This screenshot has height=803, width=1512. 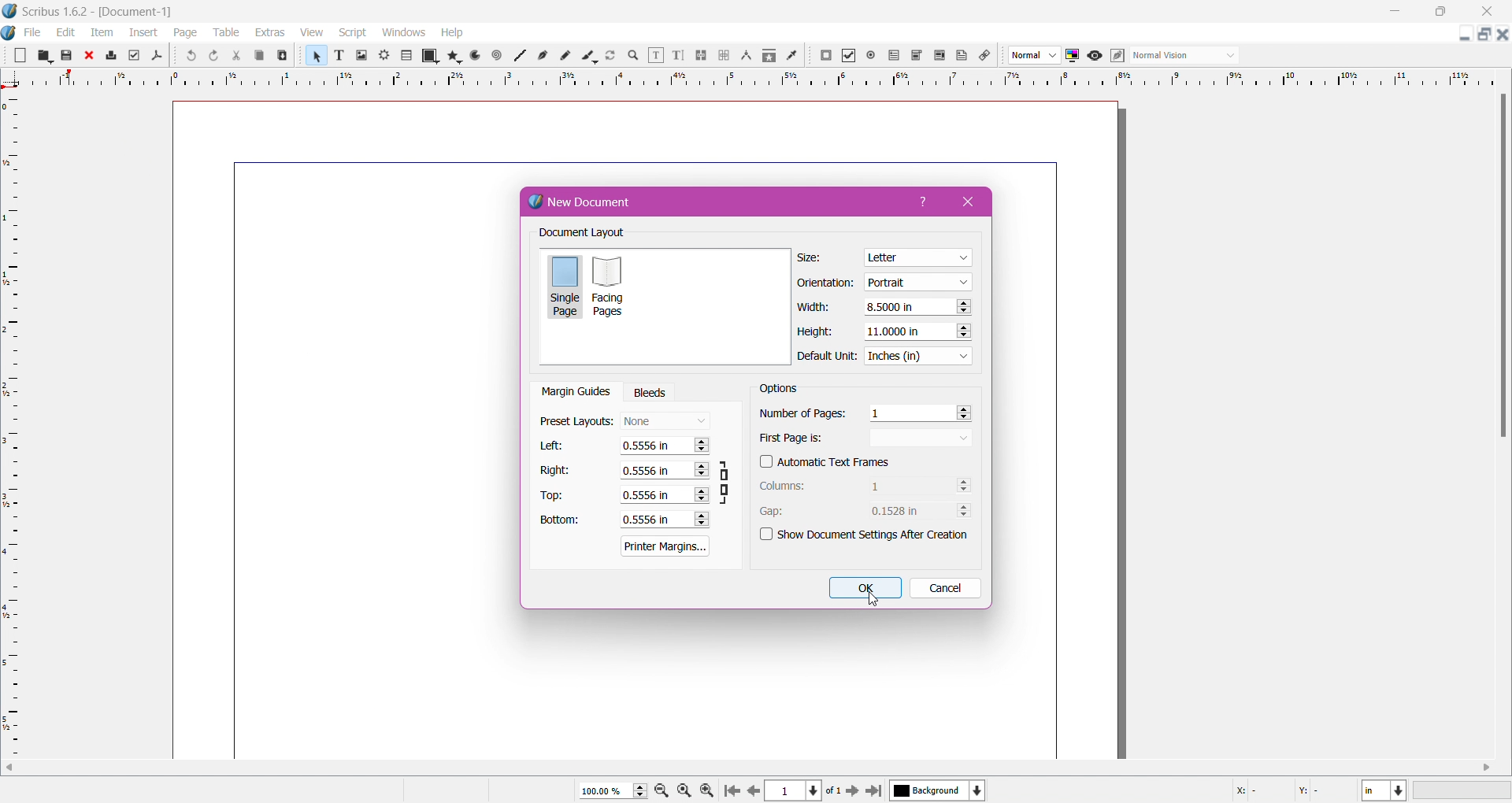 What do you see at coordinates (946, 588) in the screenshot?
I see `cancel` at bounding box center [946, 588].